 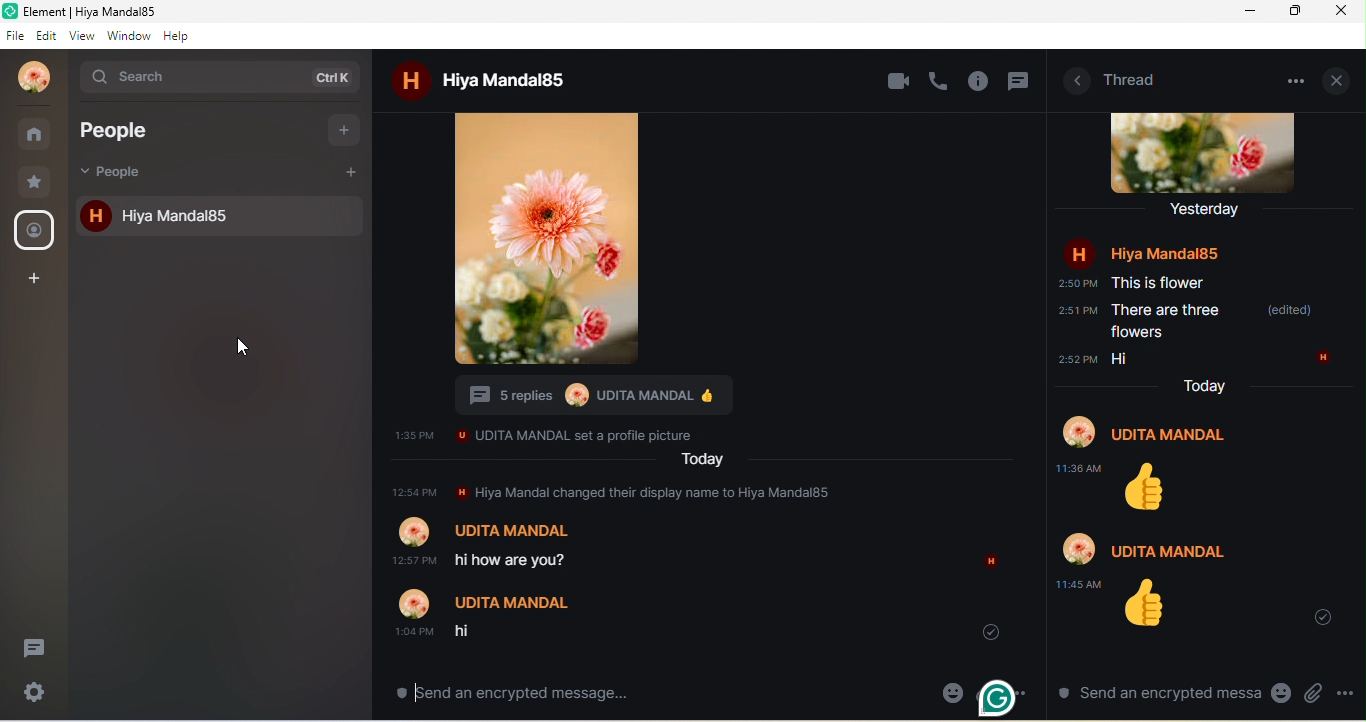 What do you see at coordinates (646, 395) in the screenshot?
I see `Udita Mandal` at bounding box center [646, 395].